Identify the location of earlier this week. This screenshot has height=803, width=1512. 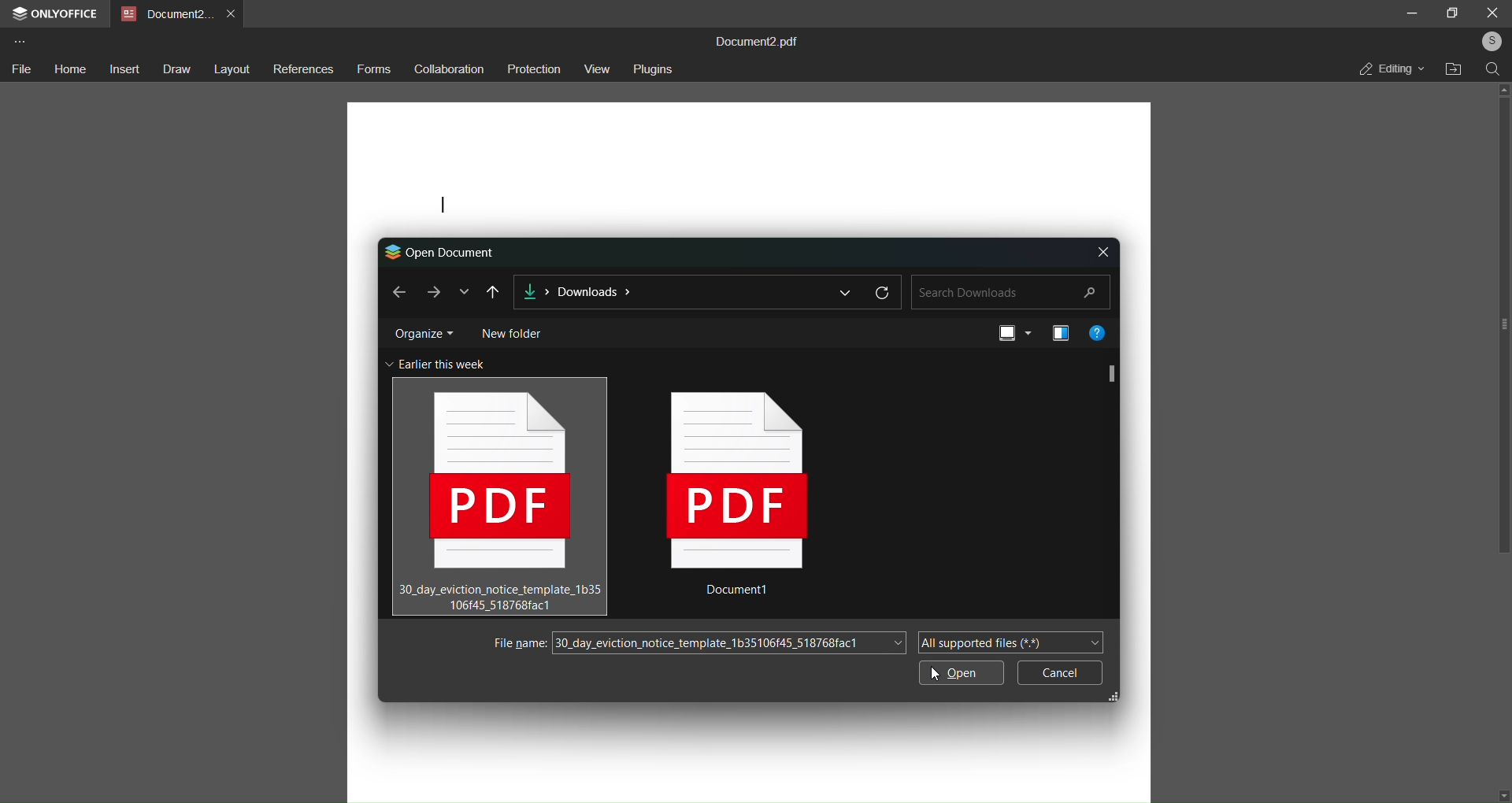
(438, 364).